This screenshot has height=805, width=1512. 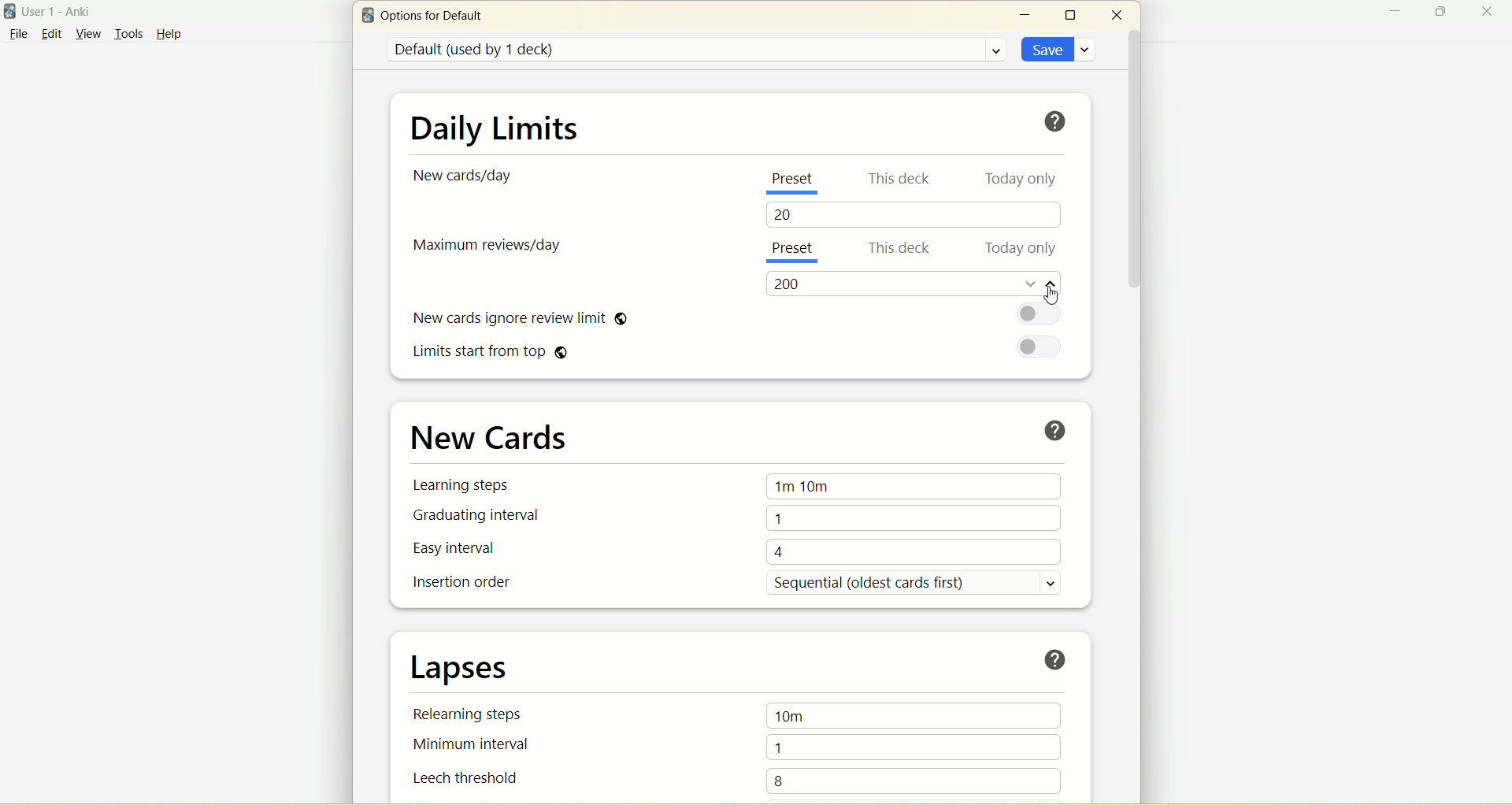 I want to click on sequential, so click(x=911, y=584).